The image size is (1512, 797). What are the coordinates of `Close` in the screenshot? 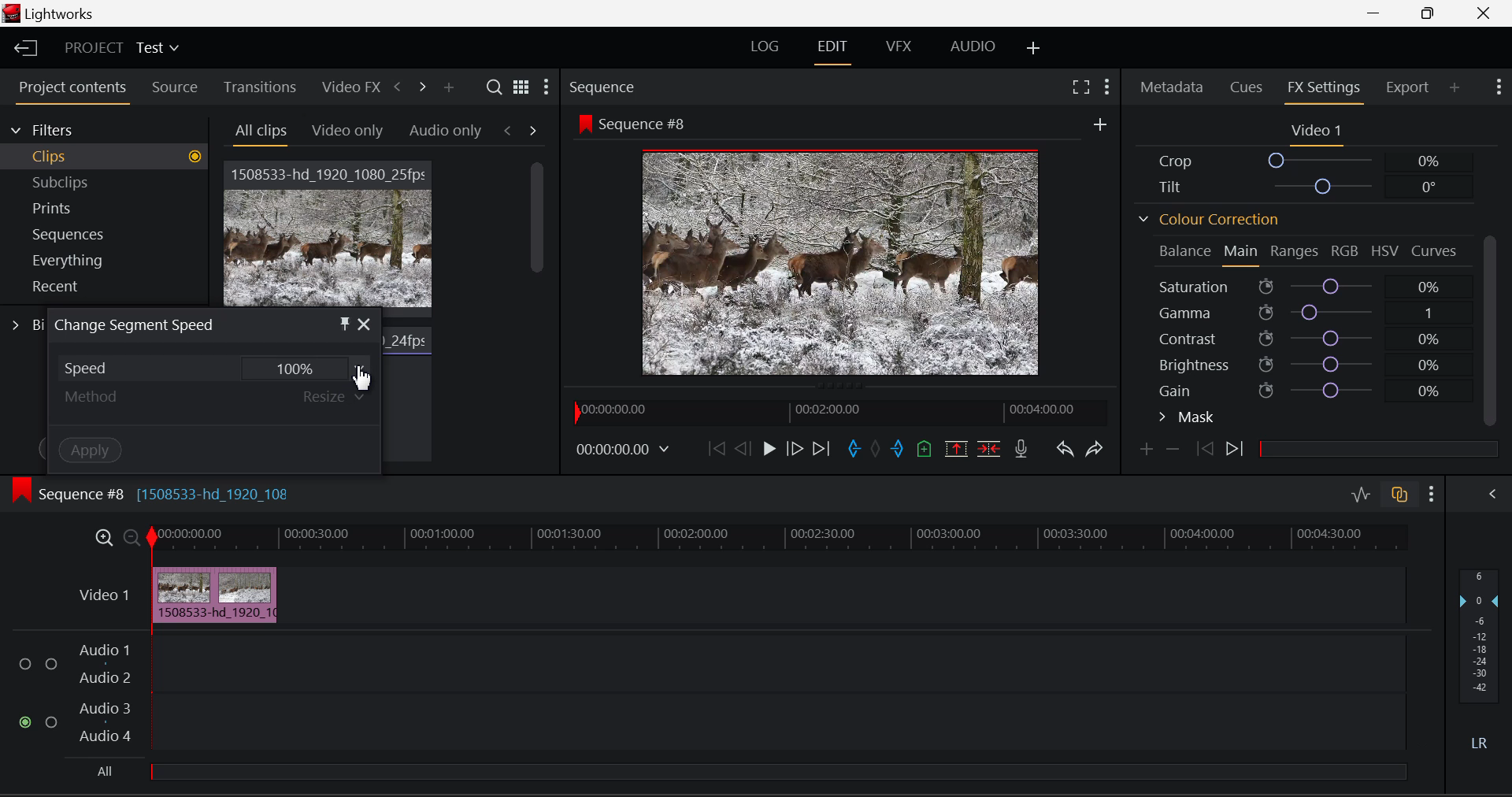 It's located at (1484, 13).